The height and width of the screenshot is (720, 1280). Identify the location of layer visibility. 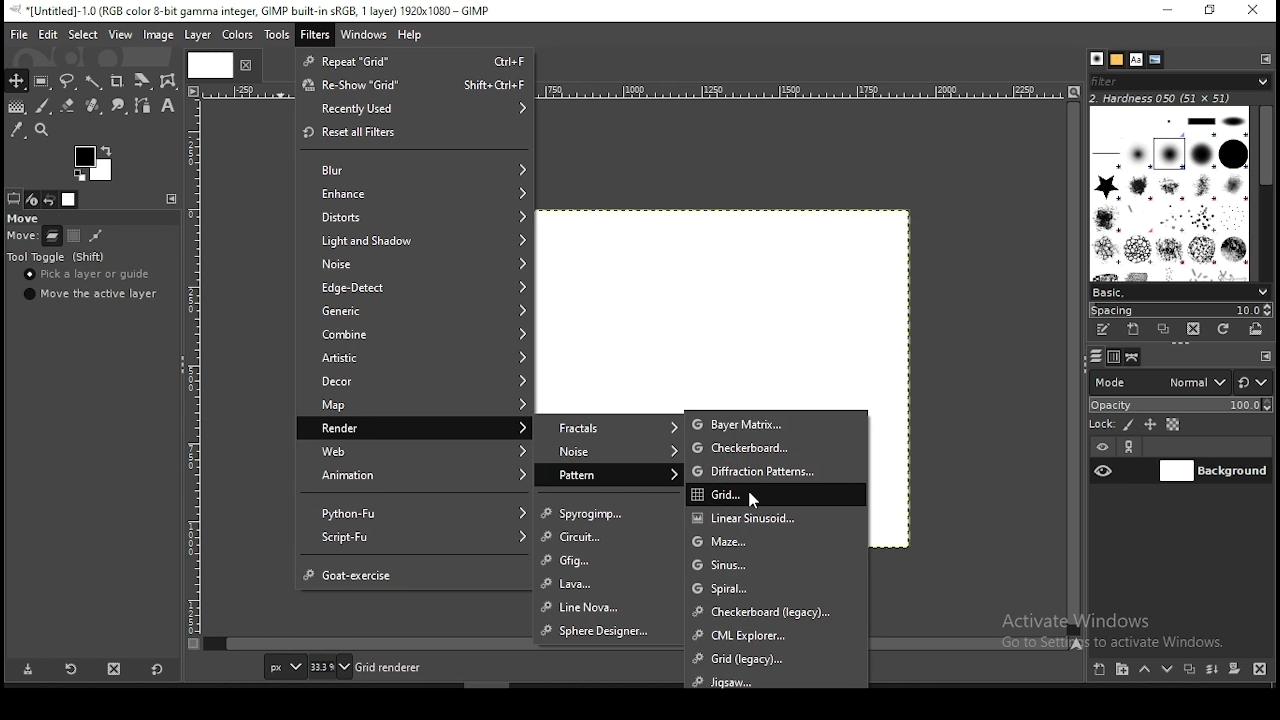
(1102, 444).